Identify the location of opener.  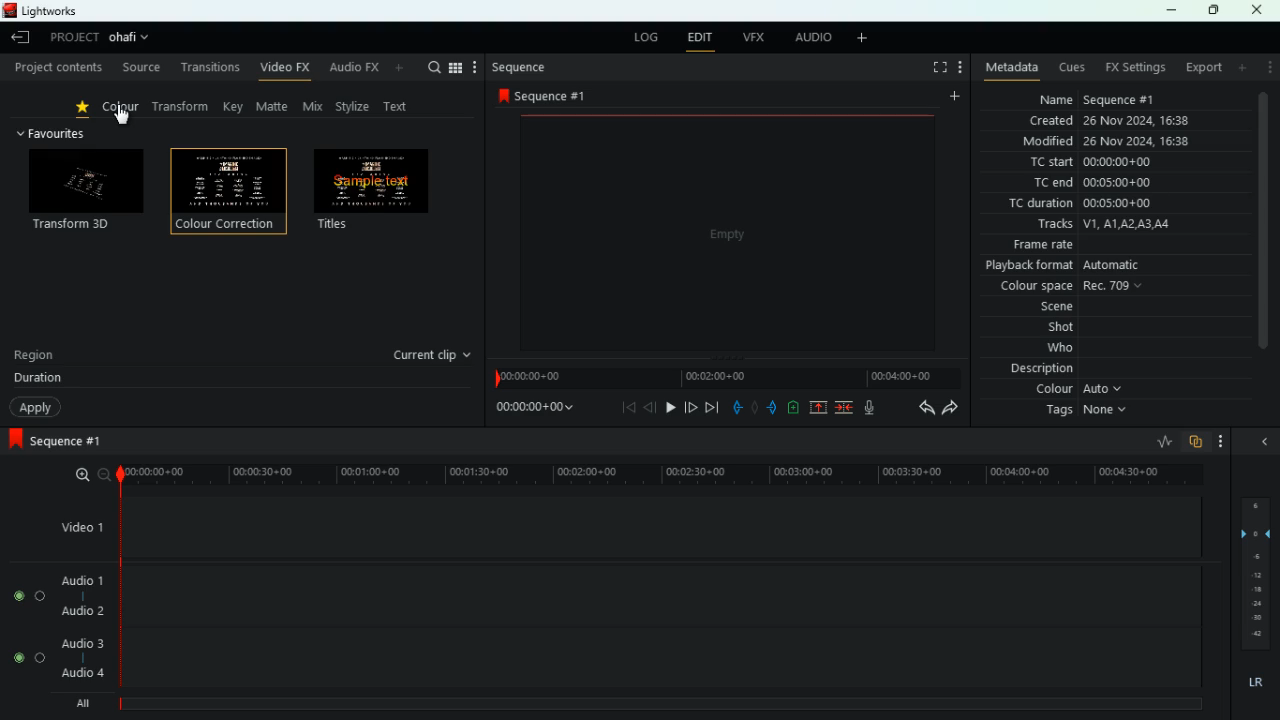
(1266, 442).